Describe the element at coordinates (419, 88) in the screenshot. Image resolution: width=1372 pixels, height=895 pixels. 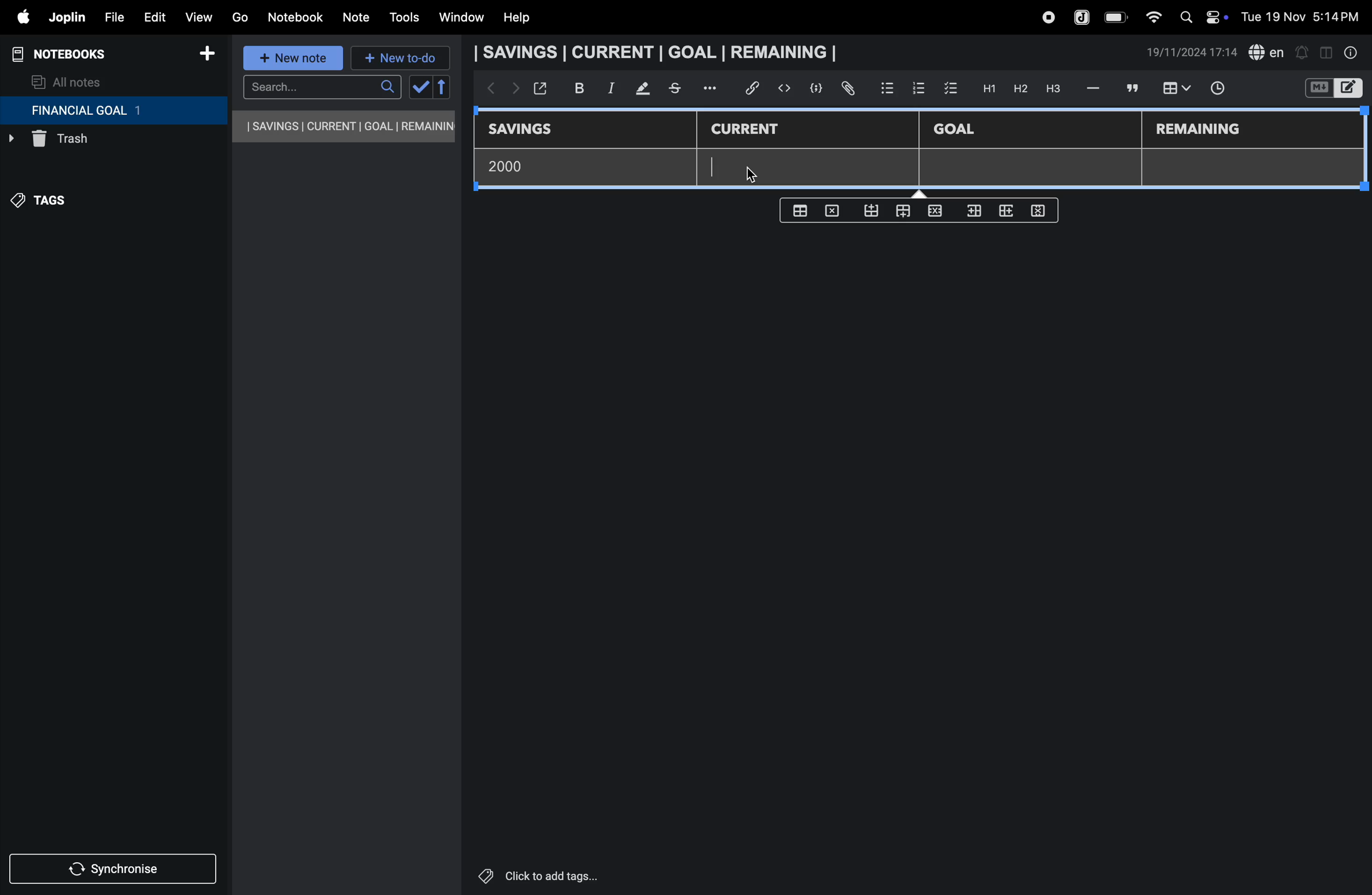
I see `check` at that location.